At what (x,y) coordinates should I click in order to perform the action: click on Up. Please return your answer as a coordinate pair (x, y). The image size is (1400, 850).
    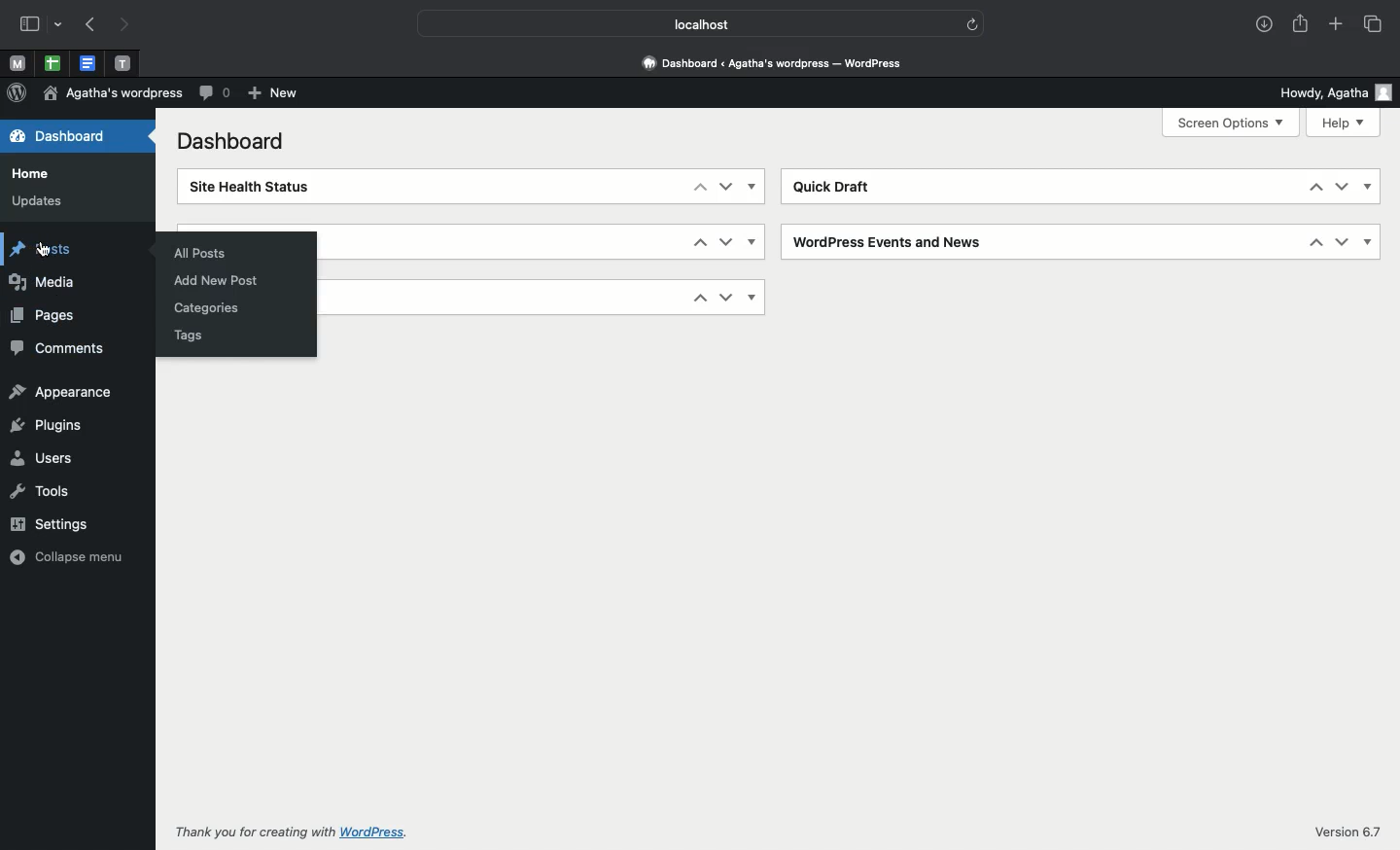
    Looking at the image, I should click on (698, 189).